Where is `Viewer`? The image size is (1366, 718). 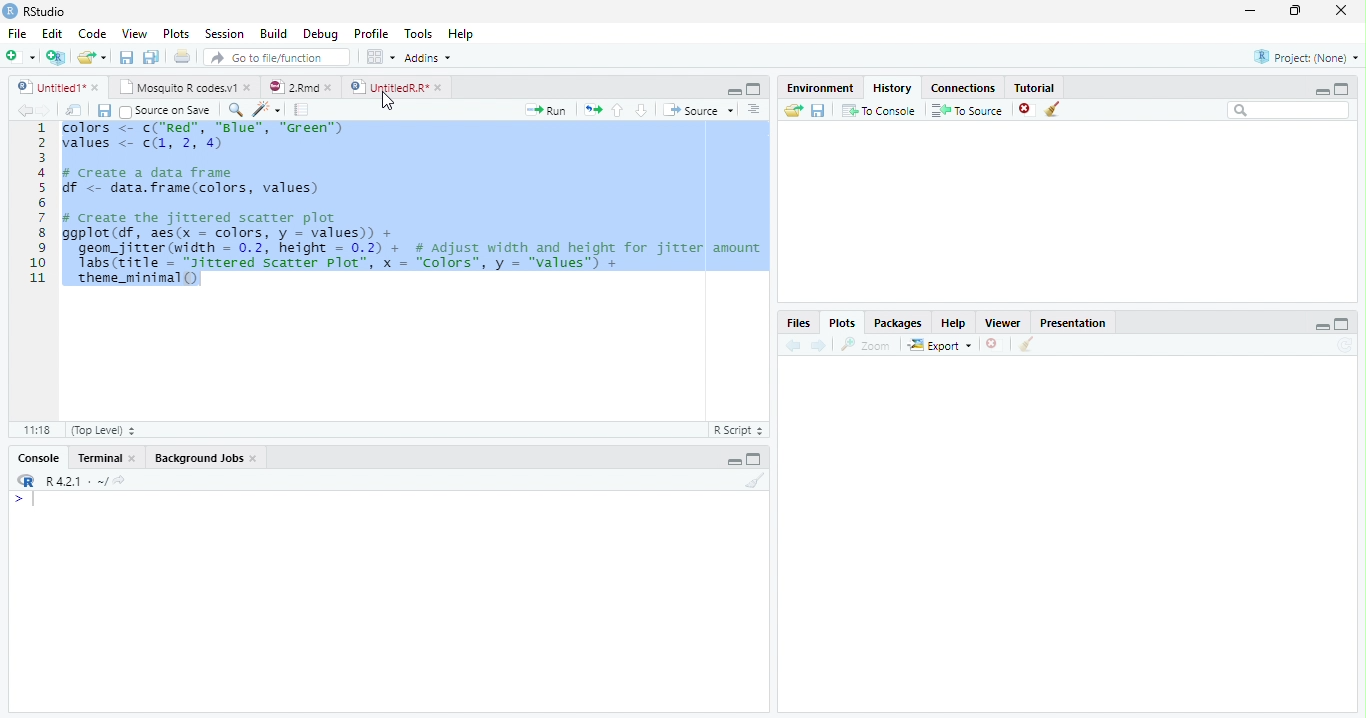 Viewer is located at coordinates (1004, 323).